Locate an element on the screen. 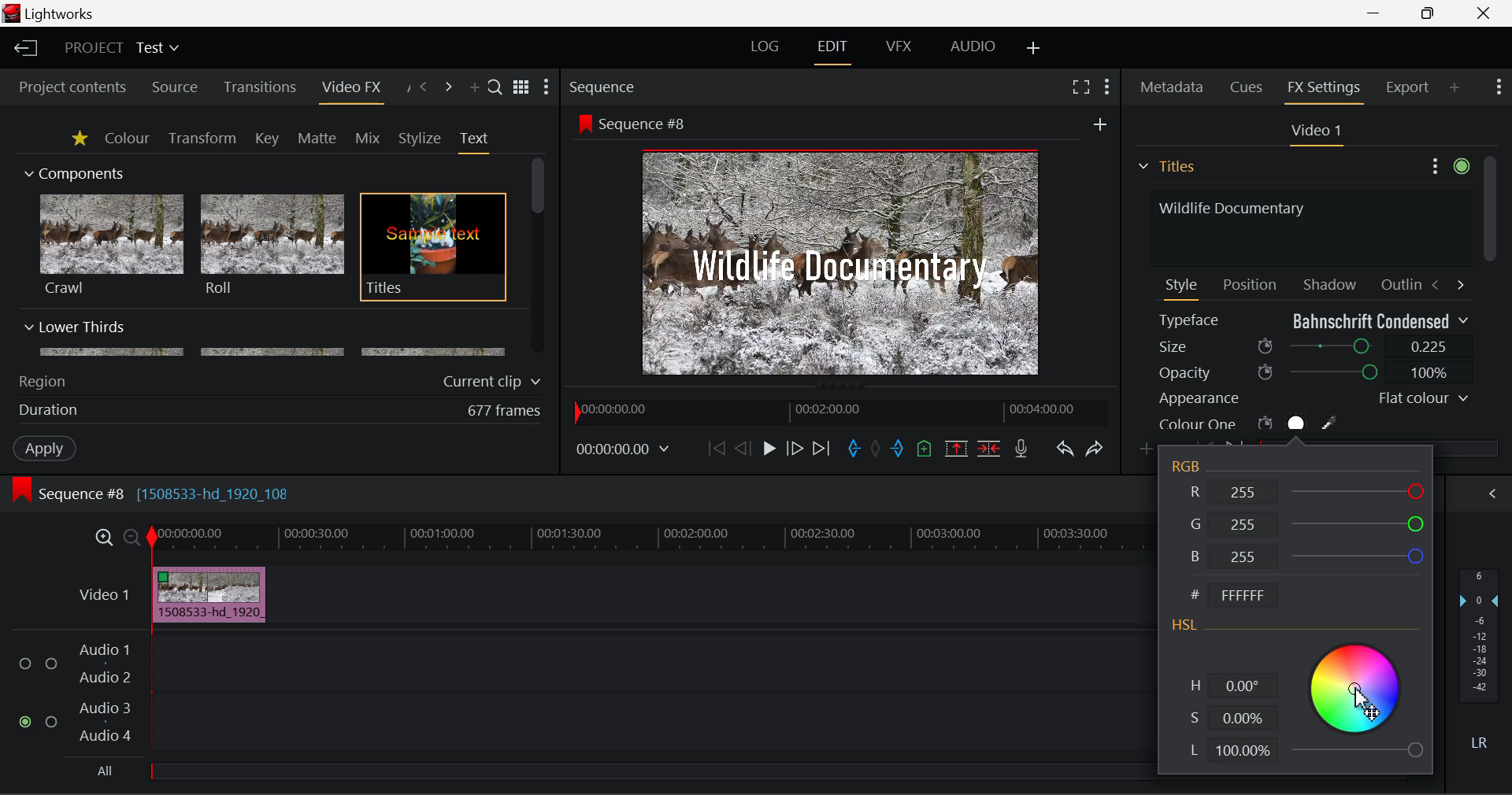  logo is located at coordinates (13, 13).